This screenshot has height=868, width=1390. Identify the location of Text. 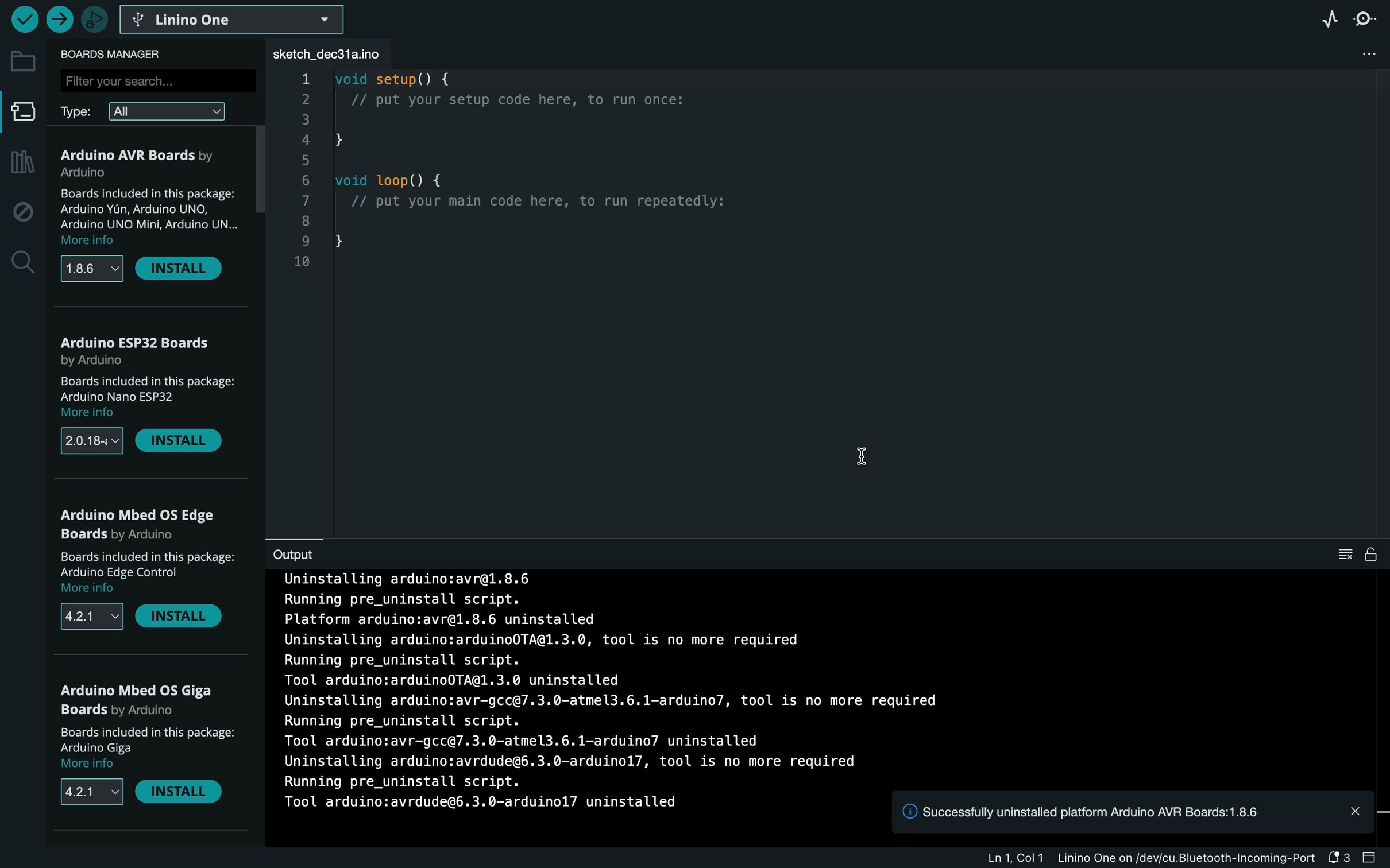
(533, 808).